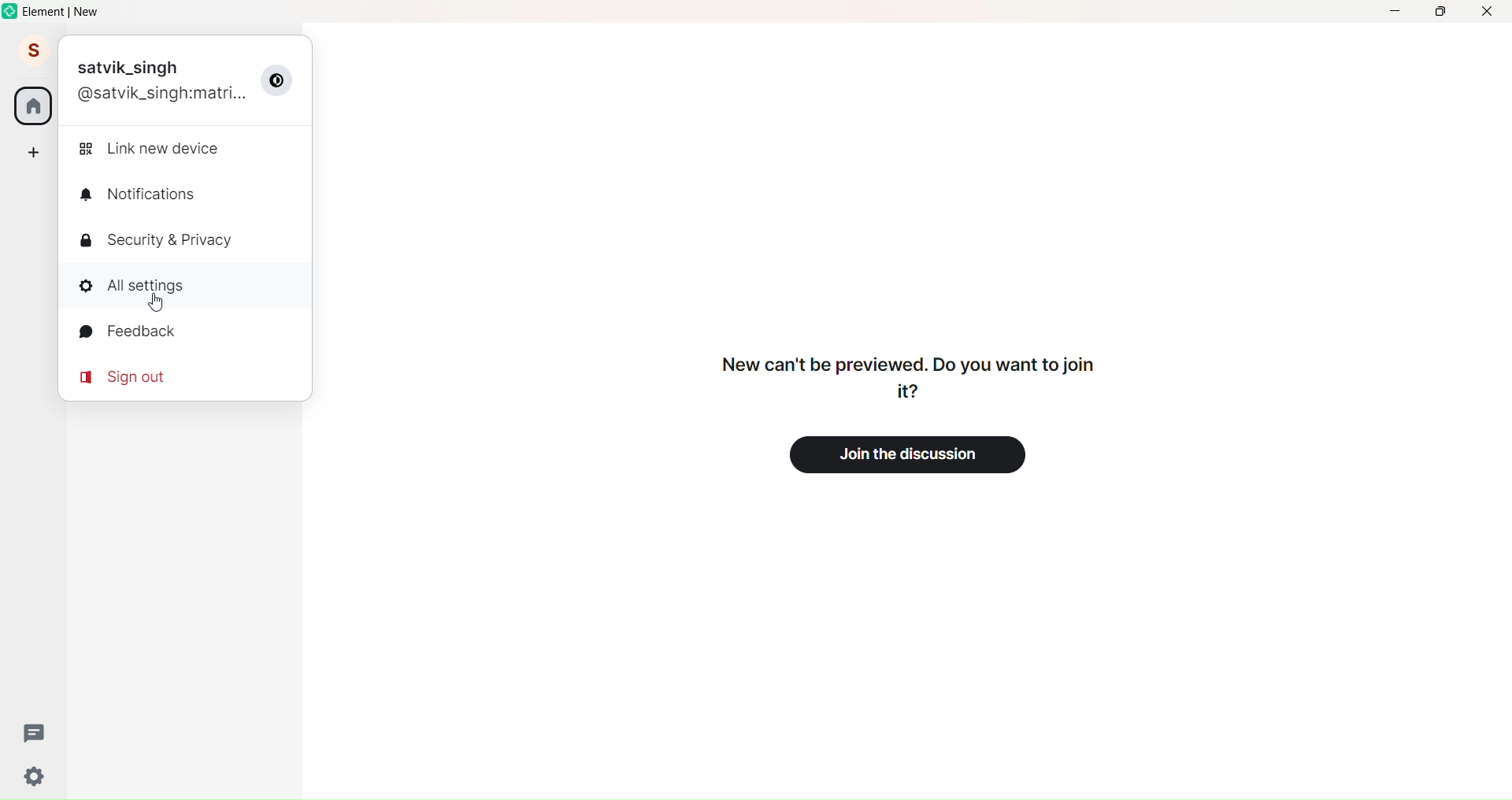  I want to click on Notifications, so click(149, 195).